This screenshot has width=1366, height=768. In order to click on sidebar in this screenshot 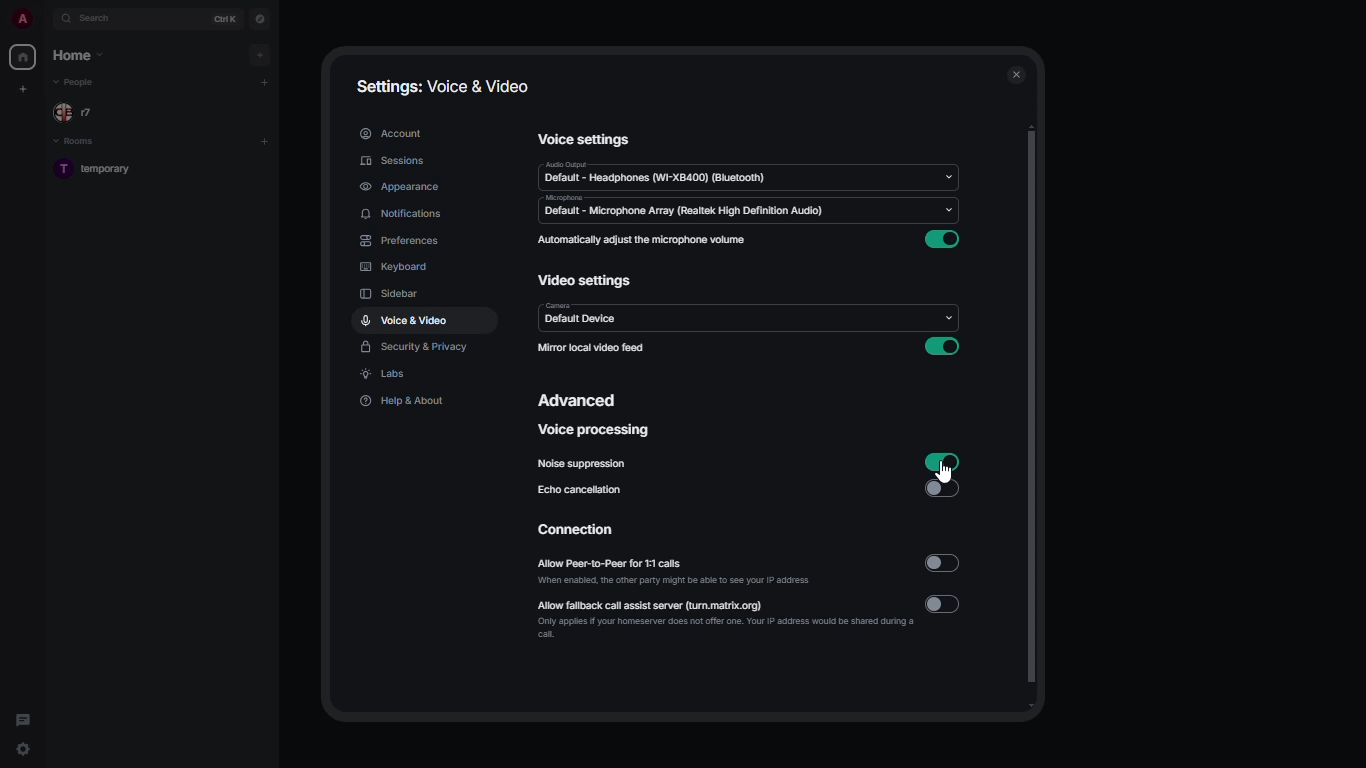, I will do `click(390, 293)`.